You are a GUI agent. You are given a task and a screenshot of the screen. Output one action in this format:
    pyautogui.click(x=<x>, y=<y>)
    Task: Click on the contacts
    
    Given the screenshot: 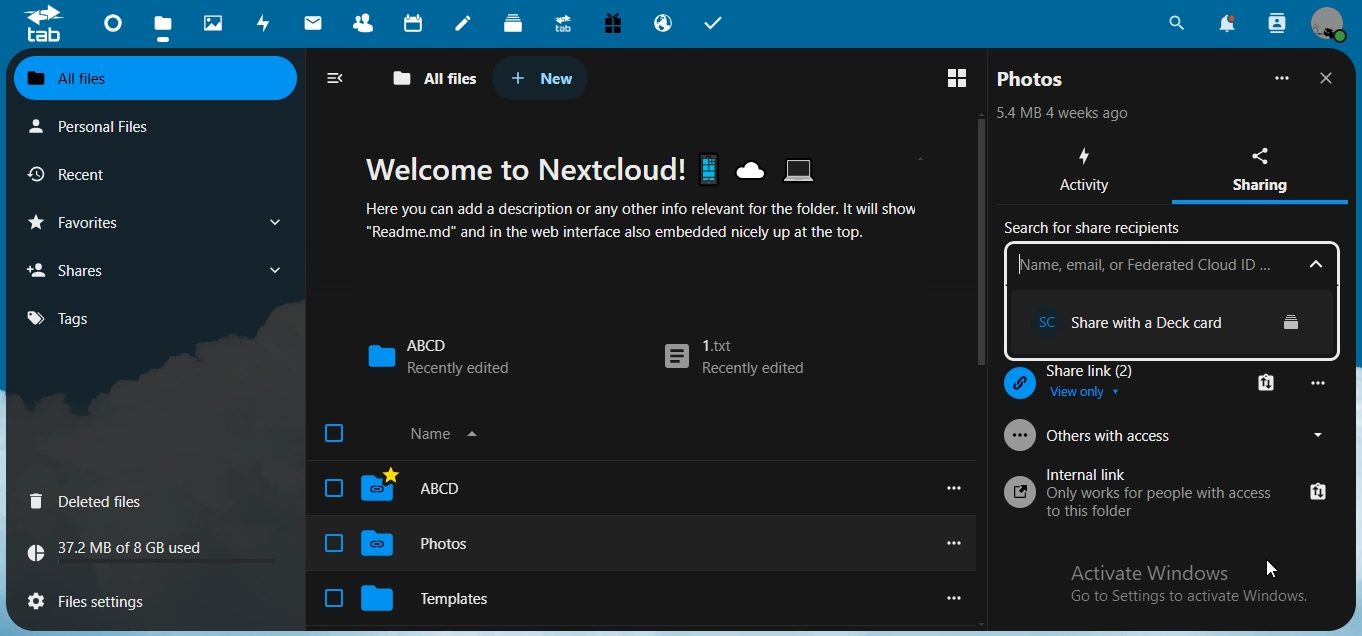 What is the action you would take?
    pyautogui.click(x=369, y=25)
    